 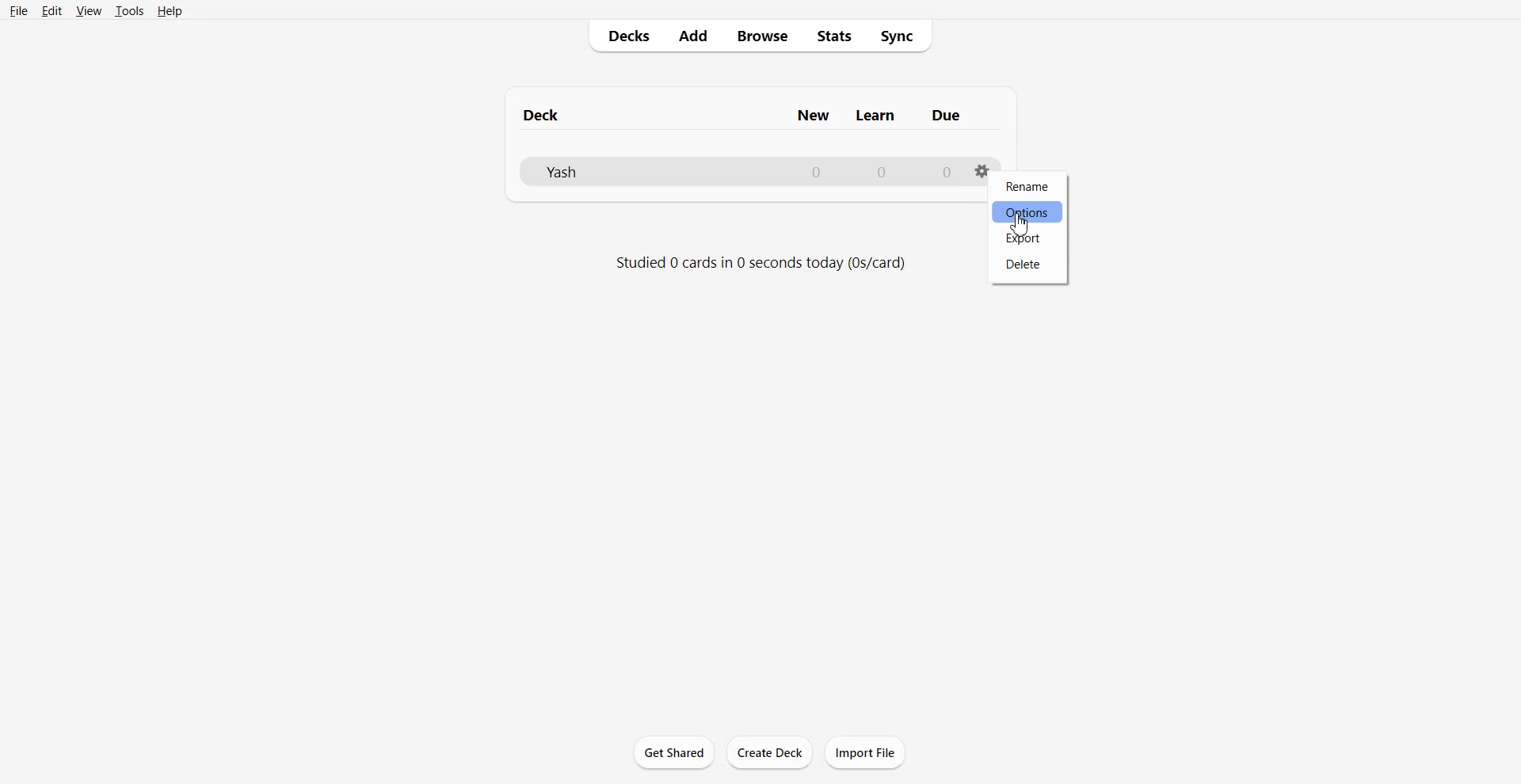 What do you see at coordinates (51, 10) in the screenshot?
I see `Edit` at bounding box center [51, 10].